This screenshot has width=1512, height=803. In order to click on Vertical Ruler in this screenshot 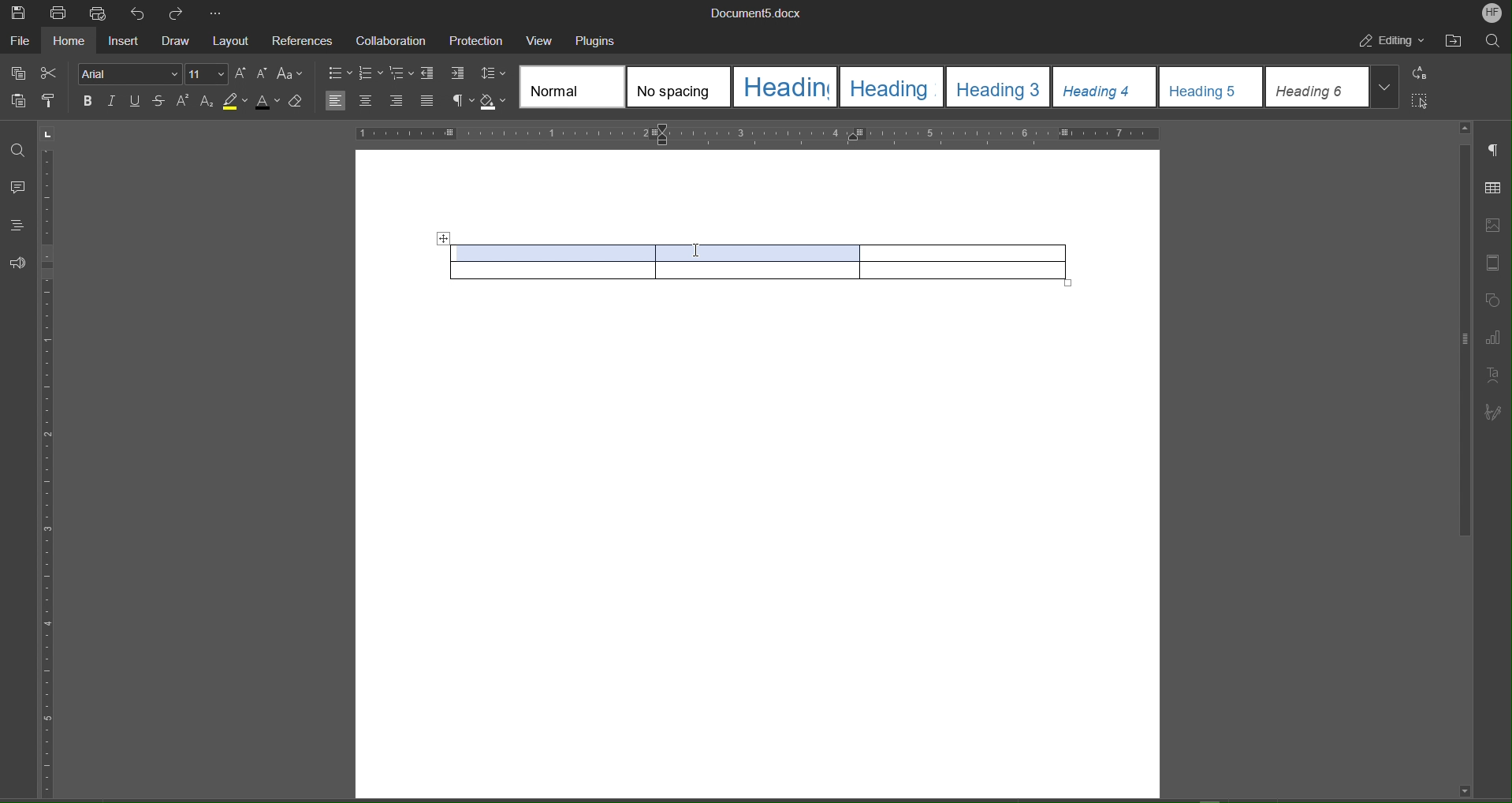, I will do `click(50, 472)`.